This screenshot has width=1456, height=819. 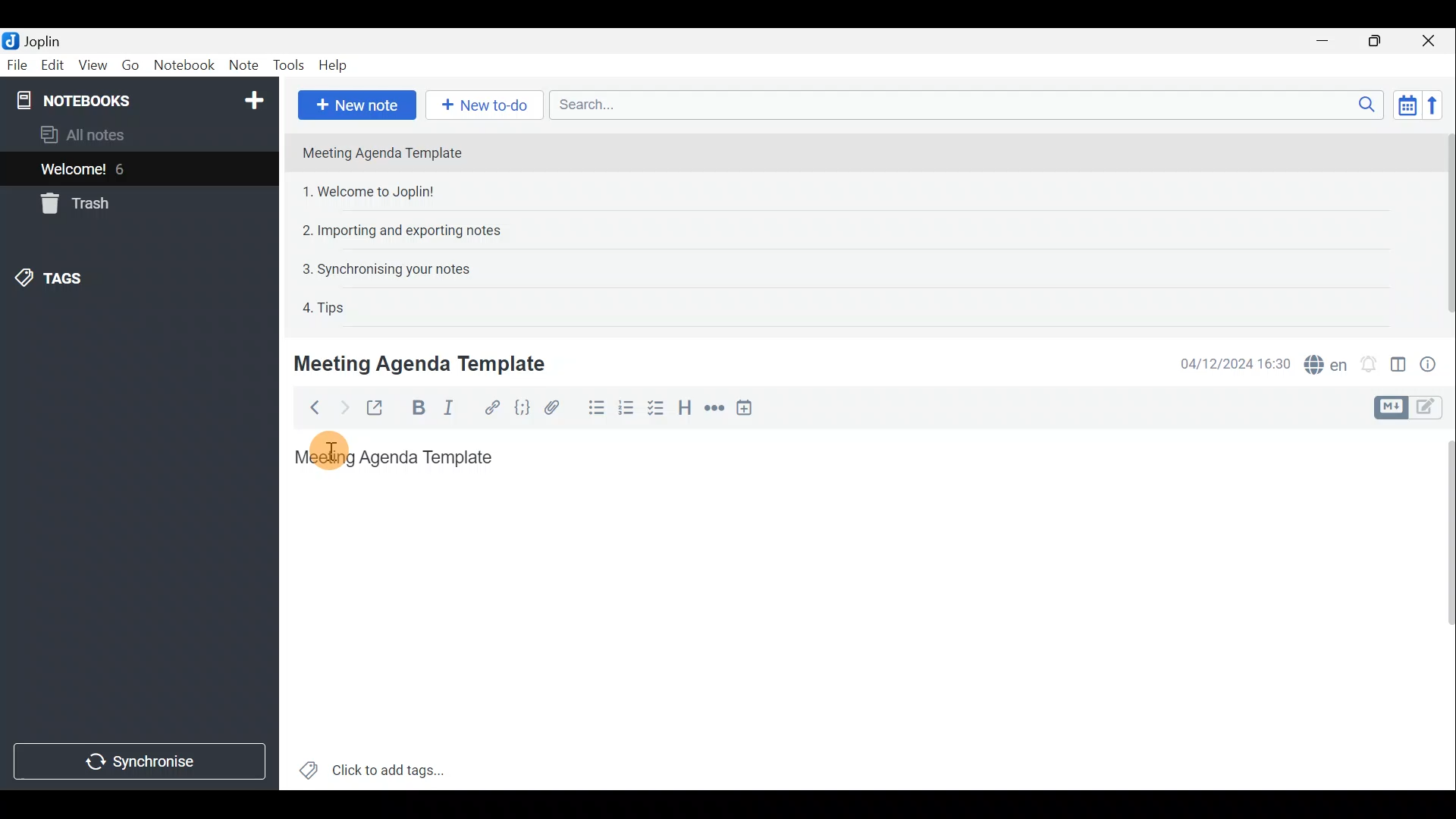 What do you see at coordinates (1228, 362) in the screenshot?
I see `04/12/2024 16:30` at bounding box center [1228, 362].